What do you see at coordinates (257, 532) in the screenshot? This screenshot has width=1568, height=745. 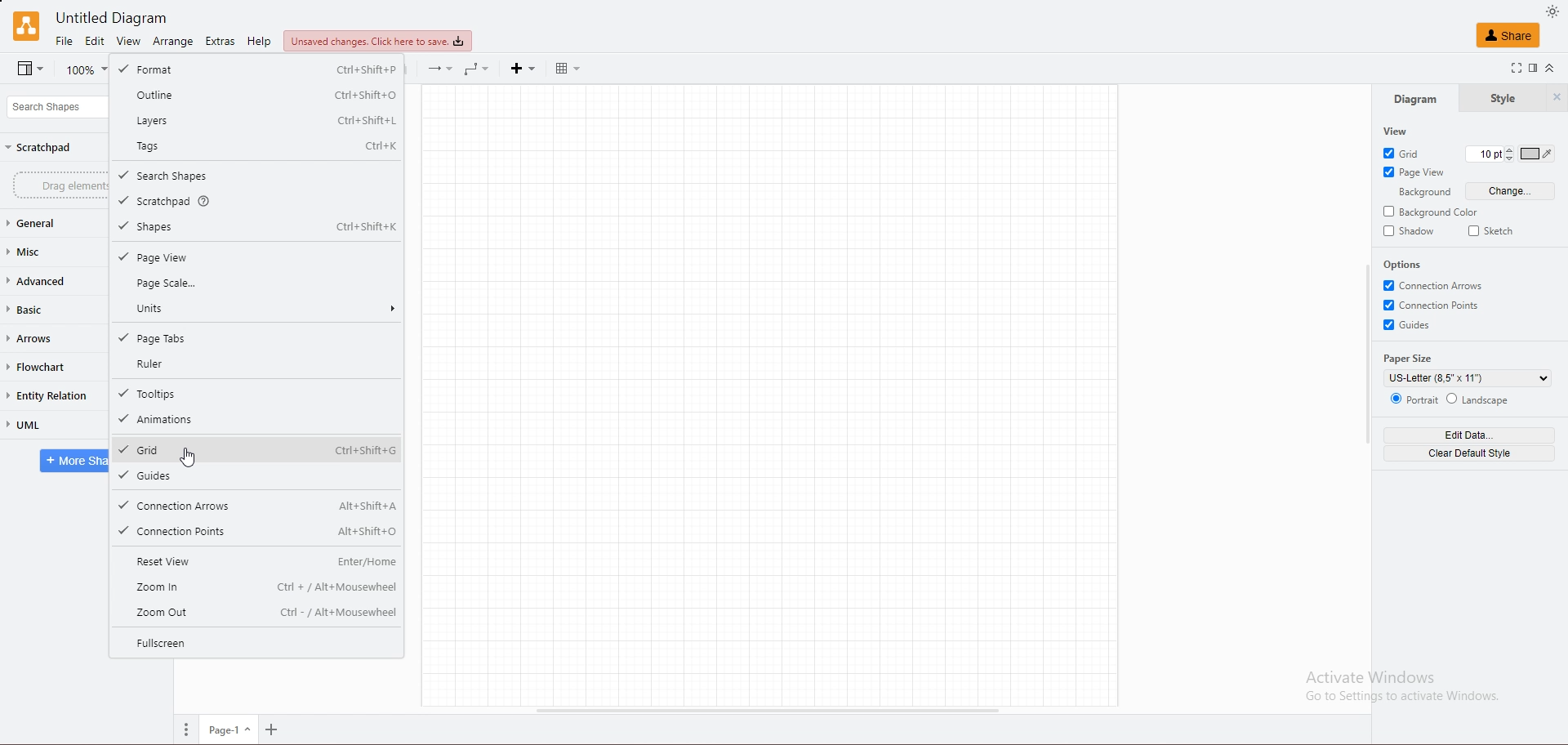 I see `connection points            Alt+Shift+O` at bounding box center [257, 532].